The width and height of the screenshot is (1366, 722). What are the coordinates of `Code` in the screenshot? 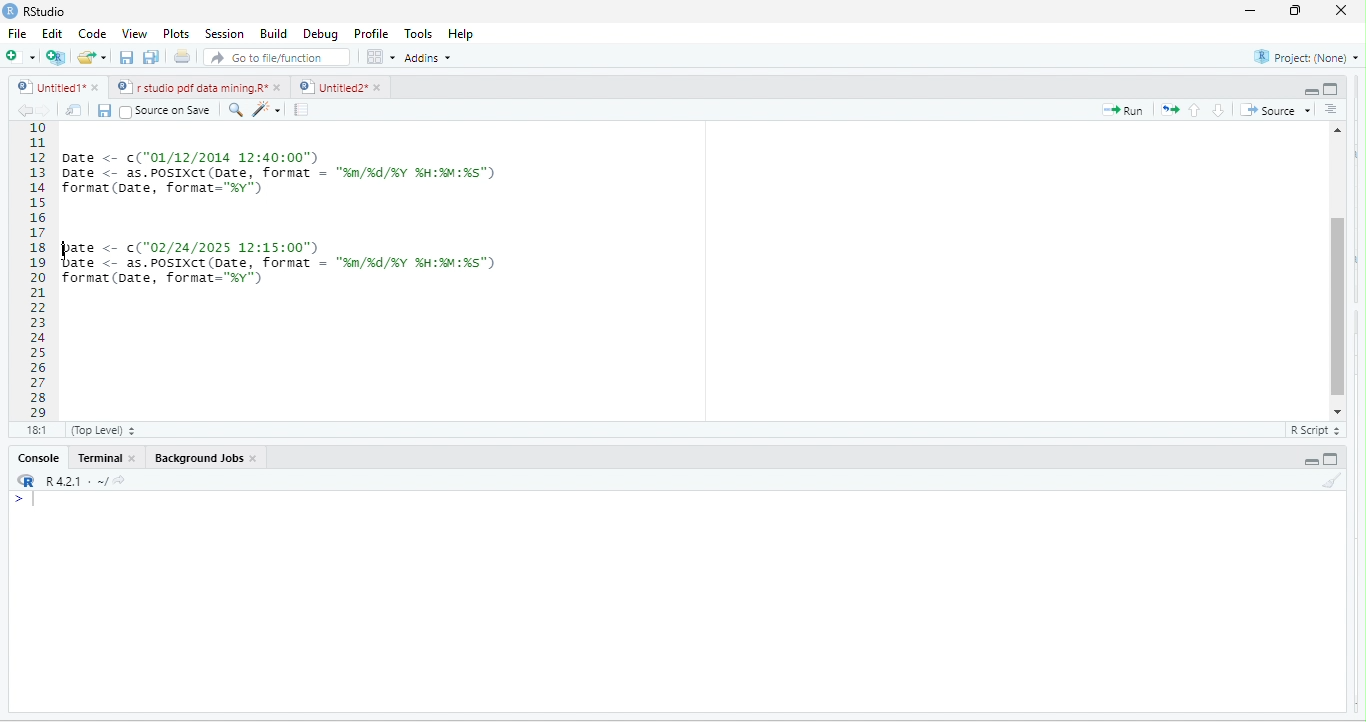 It's located at (91, 35).